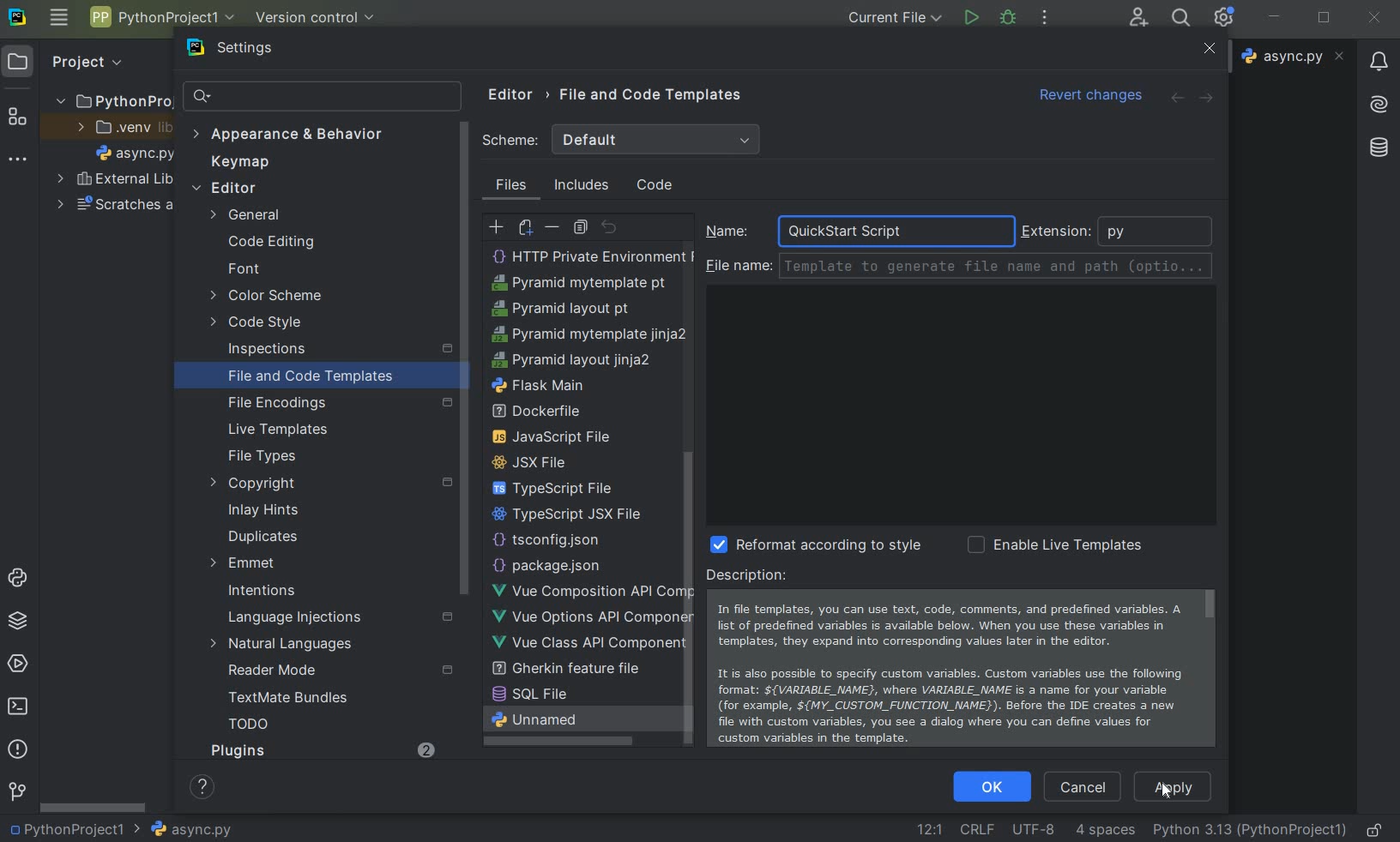 This screenshot has width=1400, height=842. Describe the element at coordinates (290, 430) in the screenshot. I see `live templates` at that location.